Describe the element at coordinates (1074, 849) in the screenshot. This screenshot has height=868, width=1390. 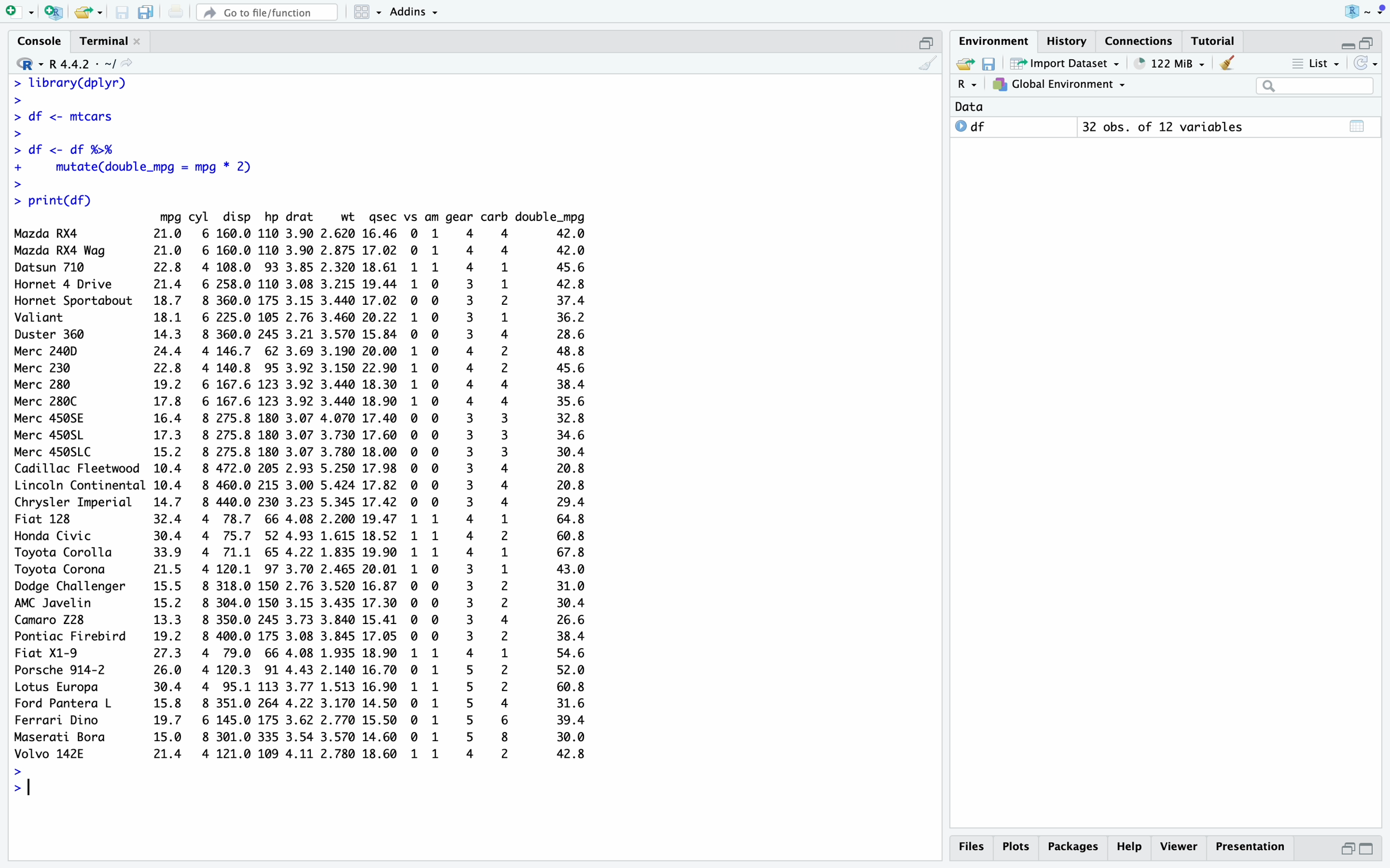
I see `packages` at that location.